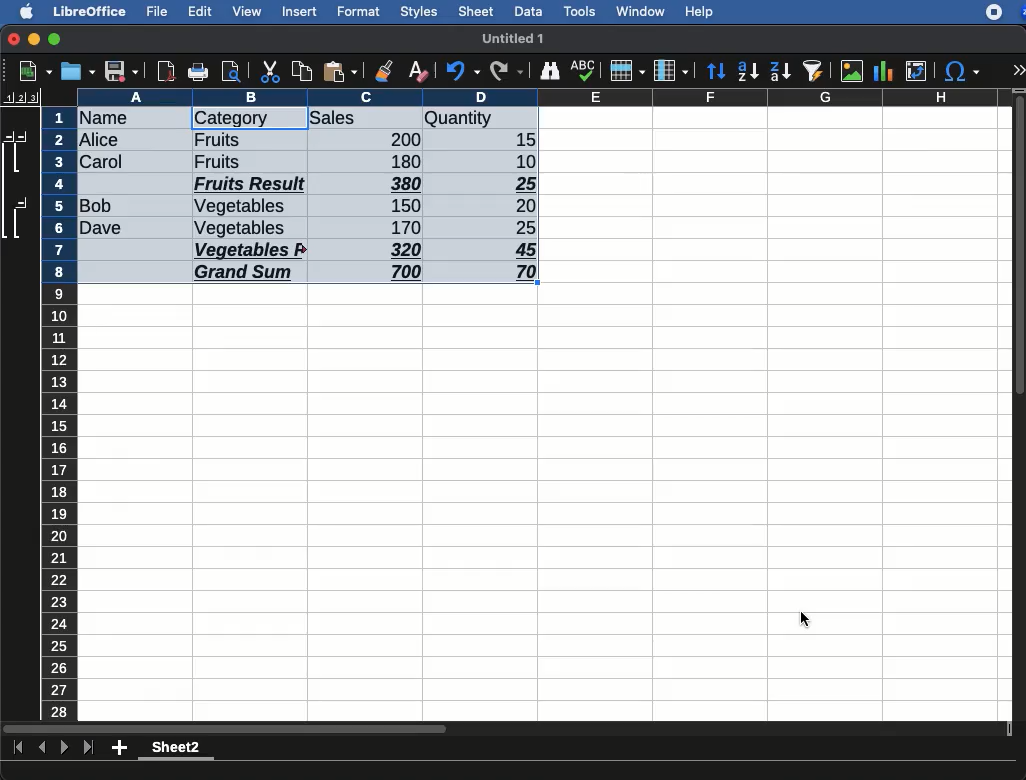 The height and width of the screenshot is (780, 1026). I want to click on redo, so click(507, 71).